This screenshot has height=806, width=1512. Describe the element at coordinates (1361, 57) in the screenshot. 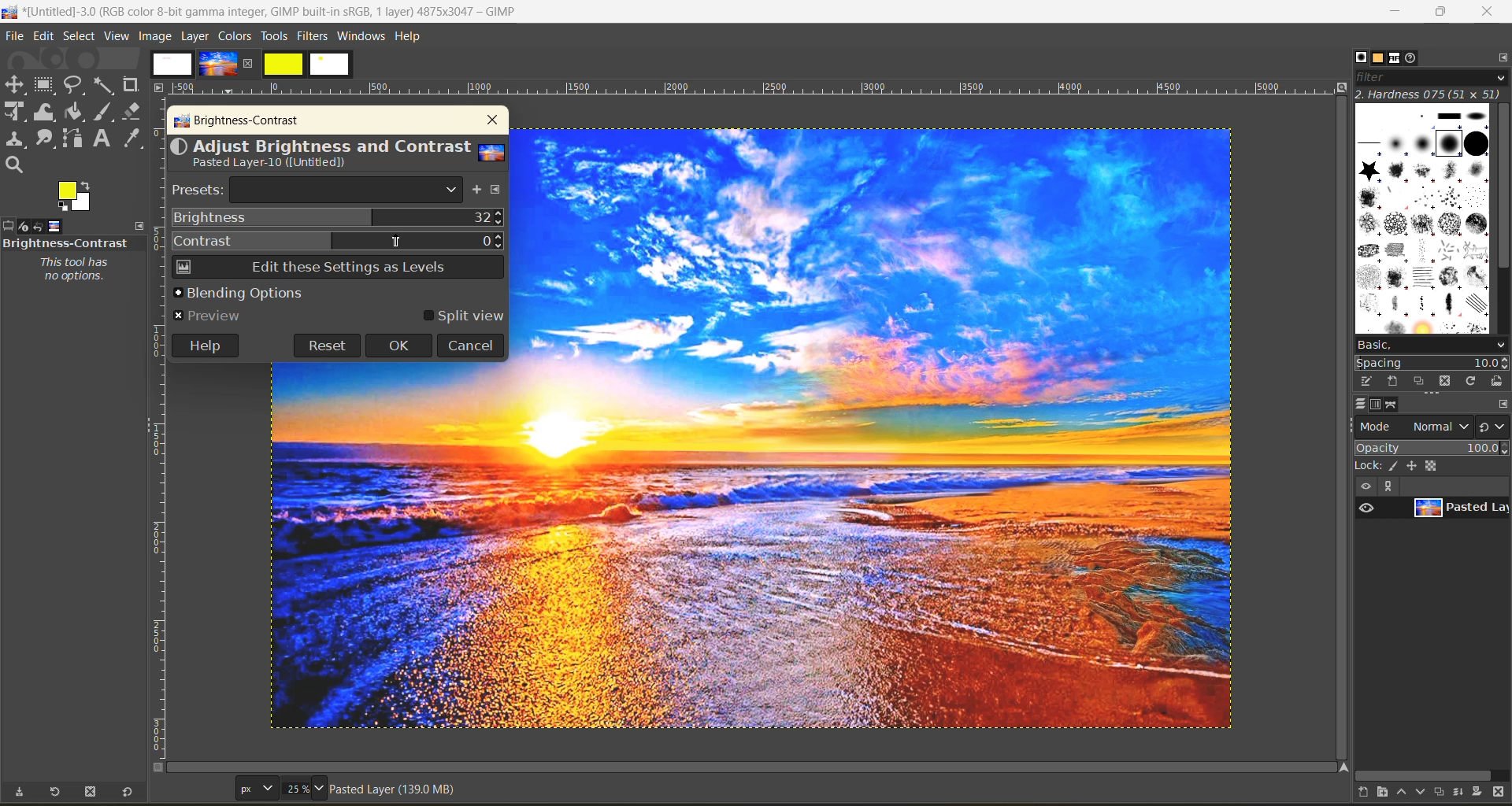

I see `brushes` at that location.